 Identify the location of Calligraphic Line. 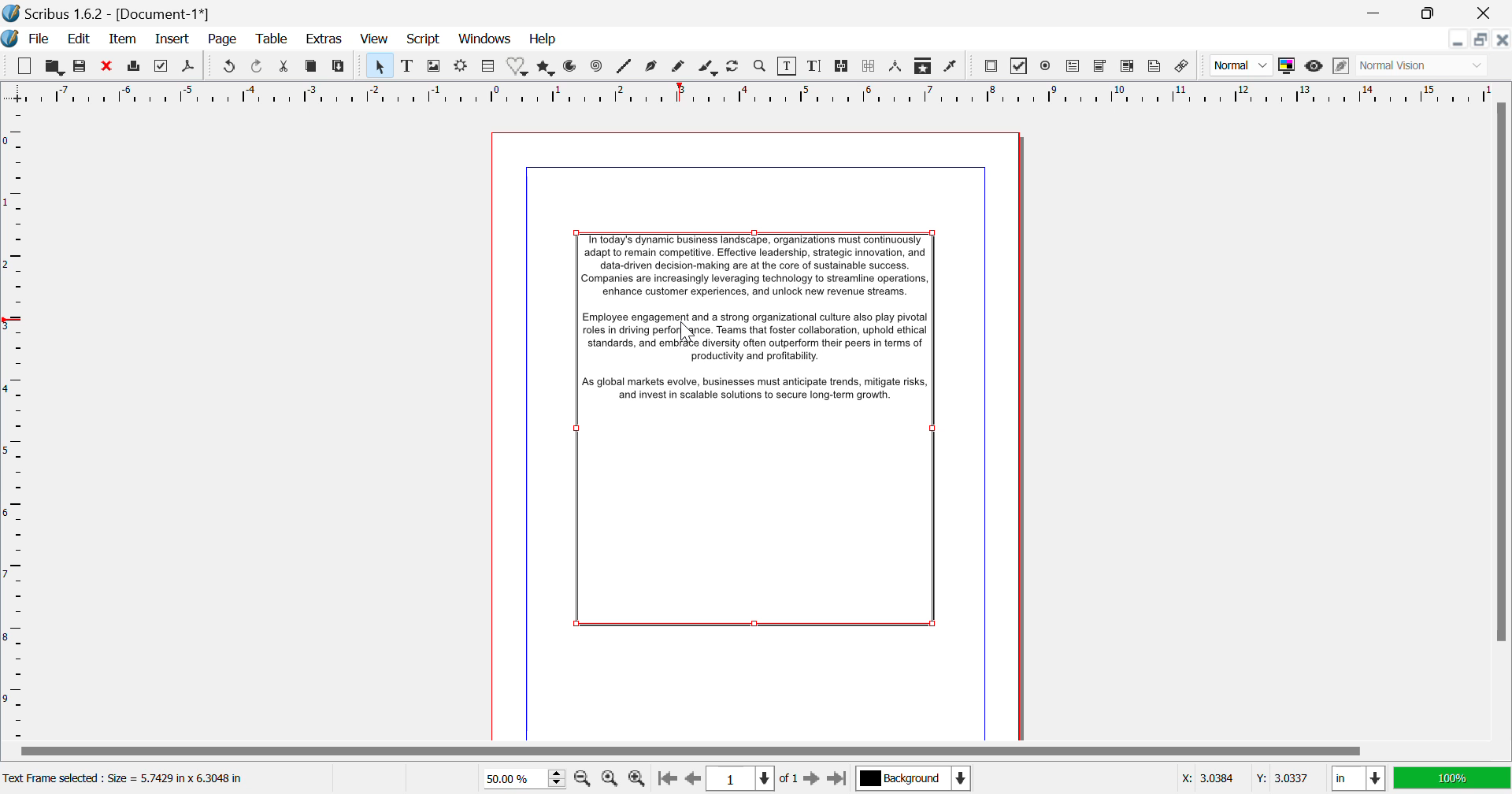
(710, 68).